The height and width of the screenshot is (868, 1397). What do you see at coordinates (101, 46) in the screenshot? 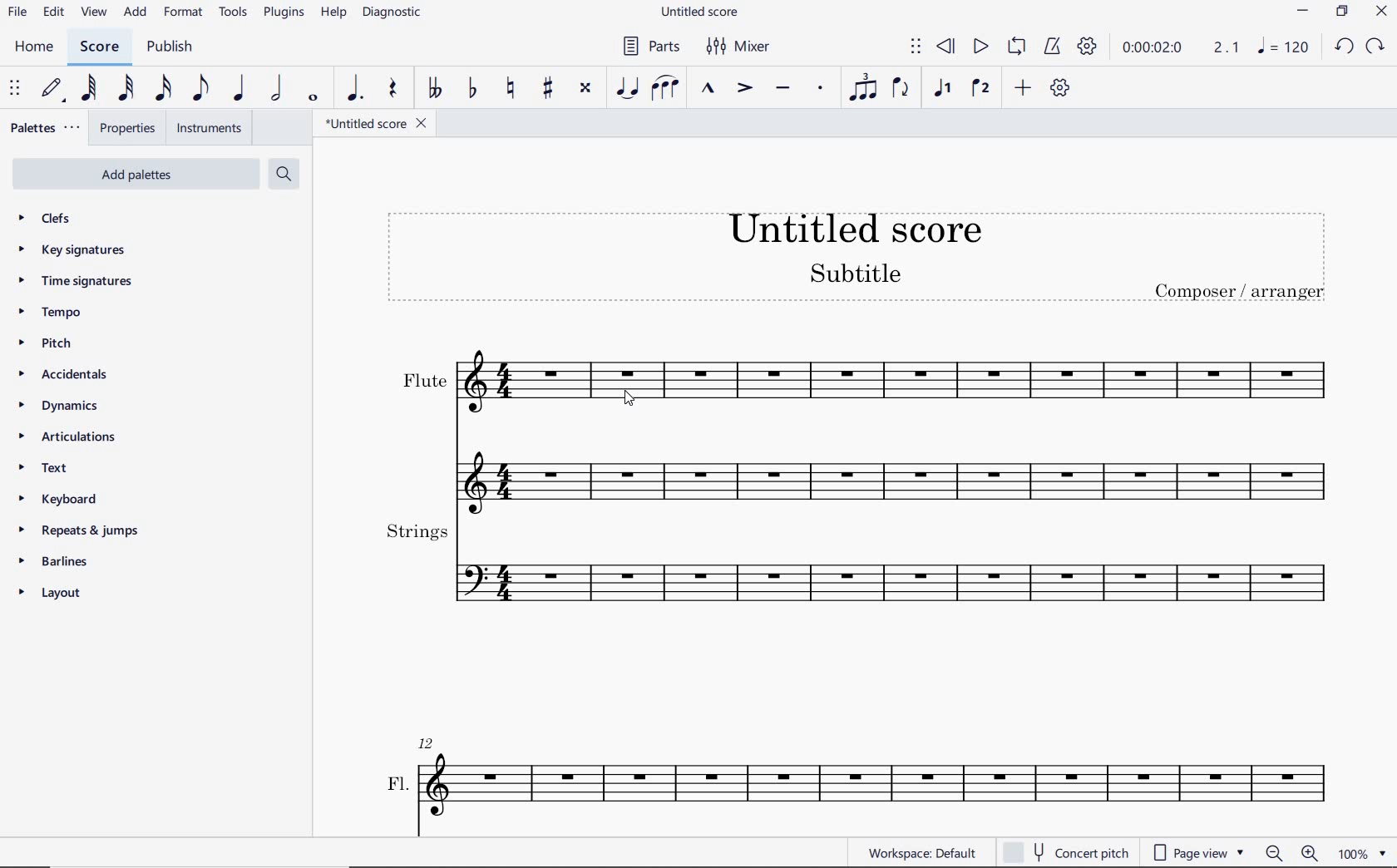
I see `SCORE` at bounding box center [101, 46].